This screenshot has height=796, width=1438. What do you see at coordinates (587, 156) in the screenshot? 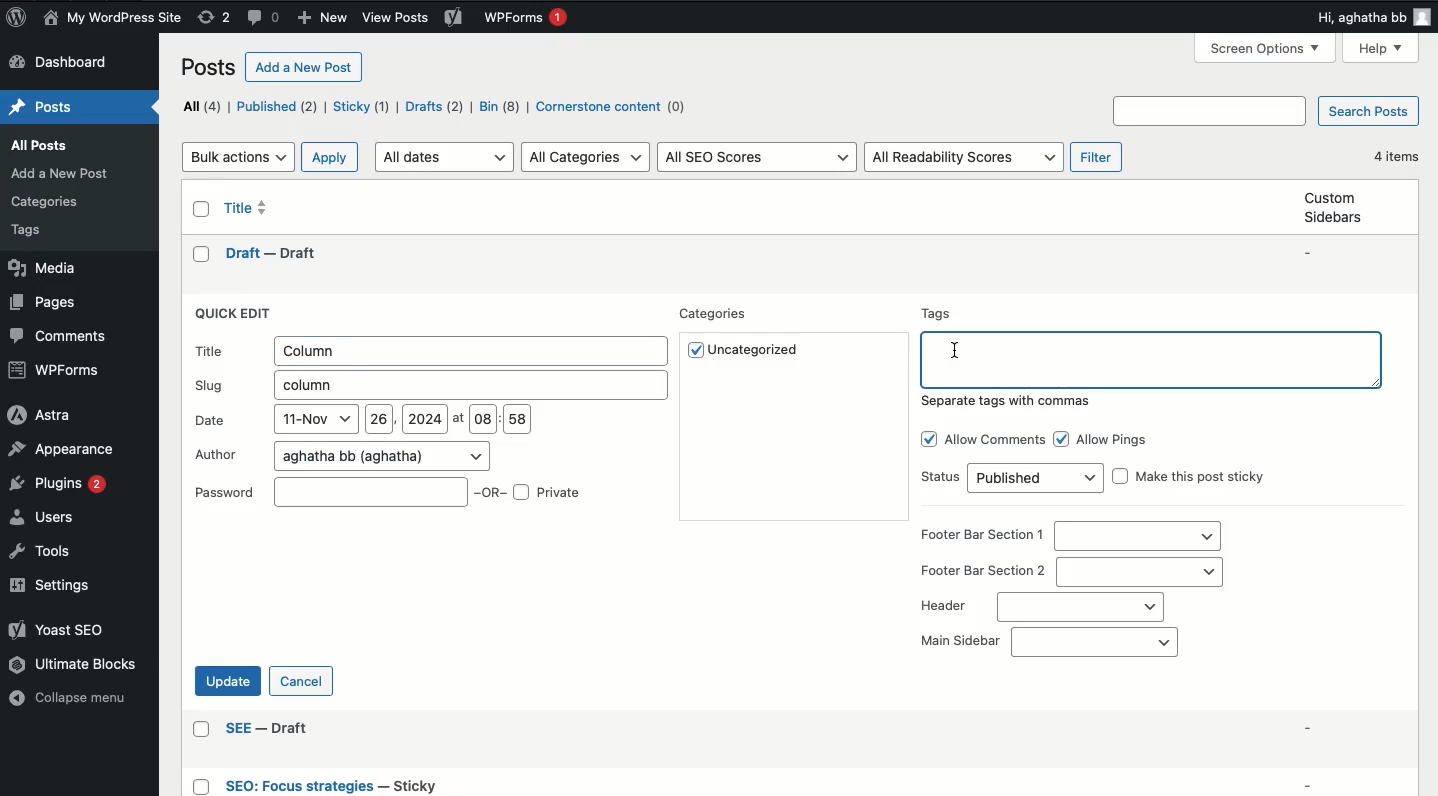
I see `All categories` at bounding box center [587, 156].